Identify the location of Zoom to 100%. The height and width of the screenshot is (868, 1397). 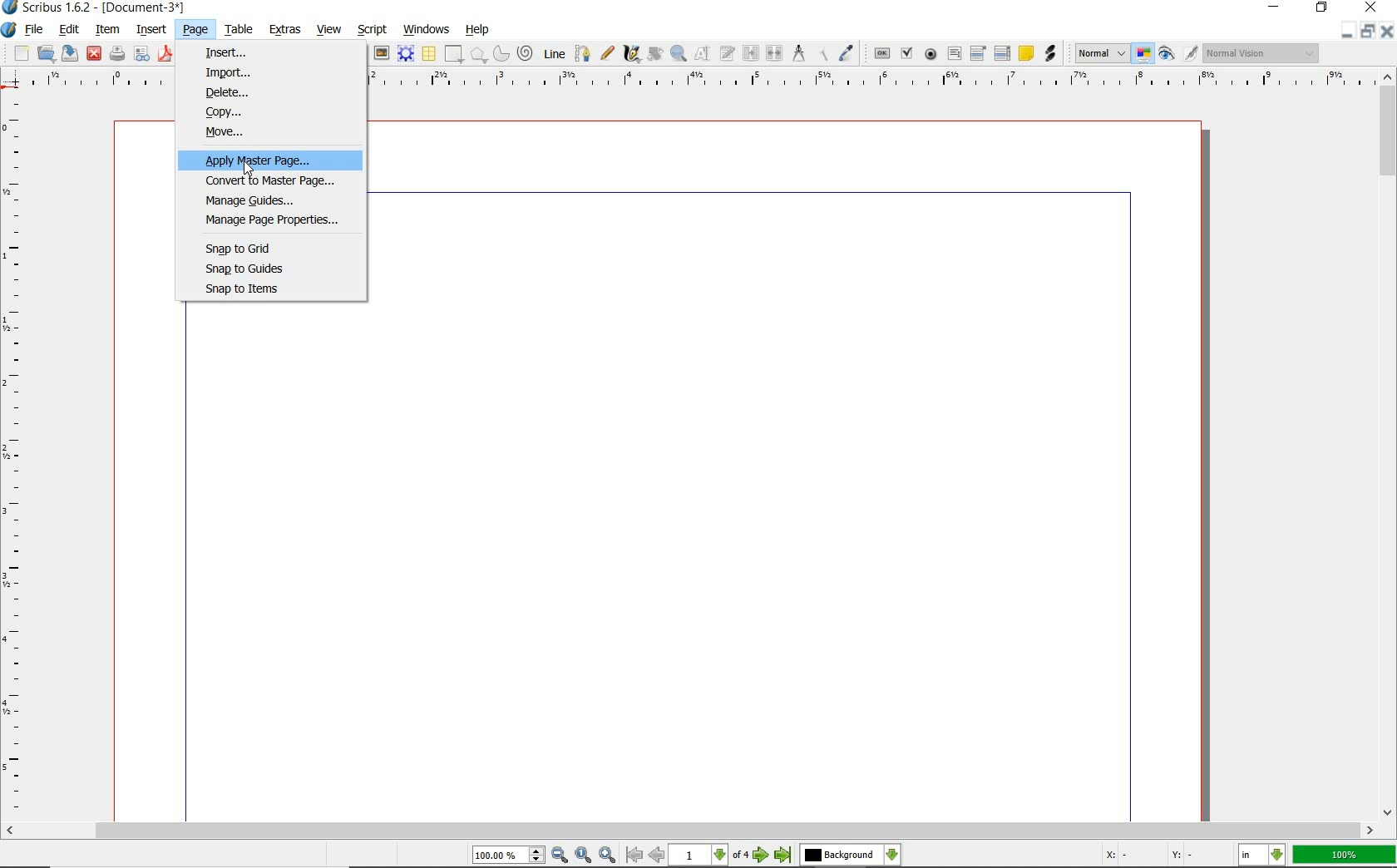
(584, 856).